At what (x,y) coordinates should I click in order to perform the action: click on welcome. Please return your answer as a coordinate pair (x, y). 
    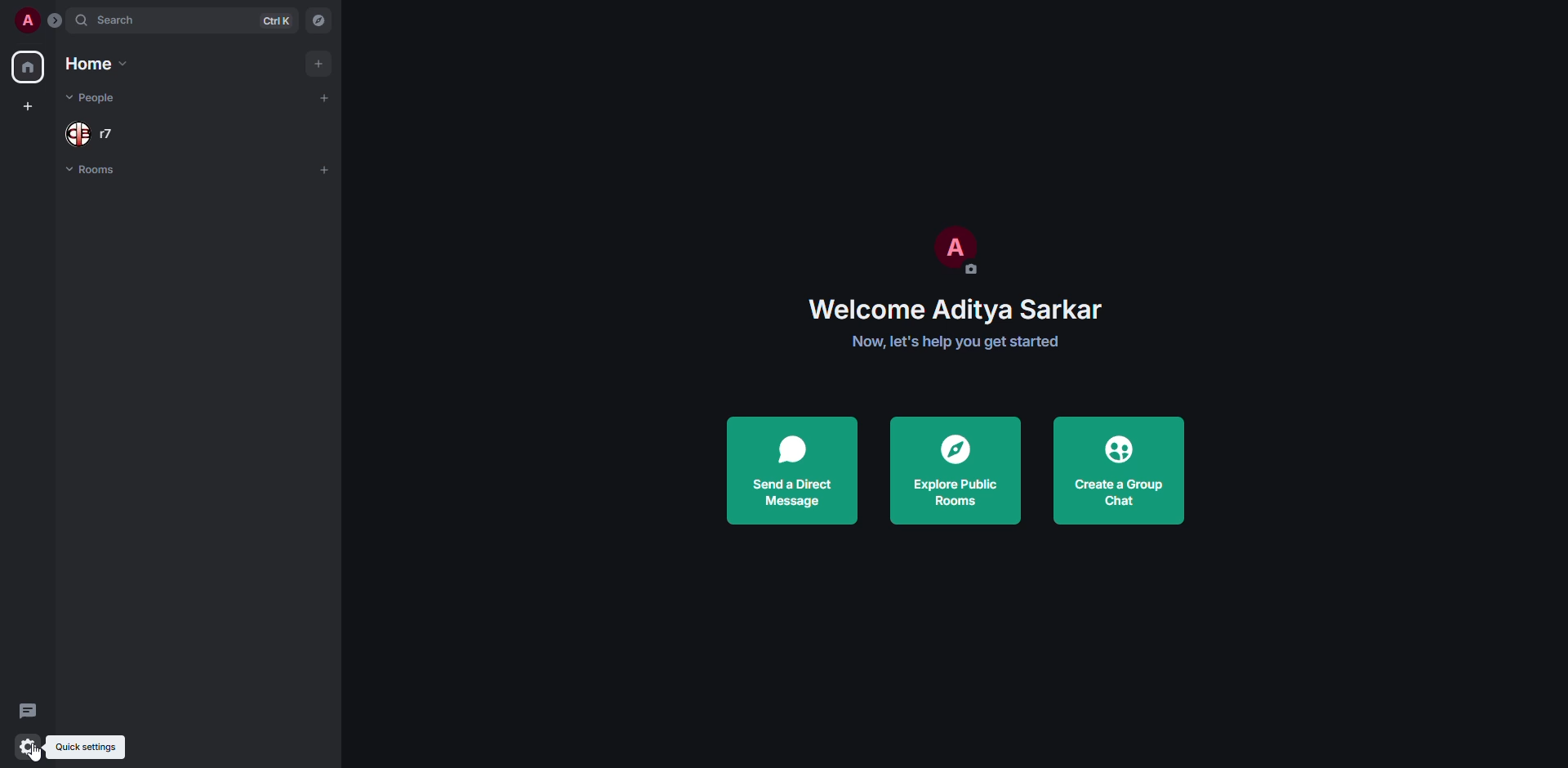
    Looking at the image, I should click on (955, 306).